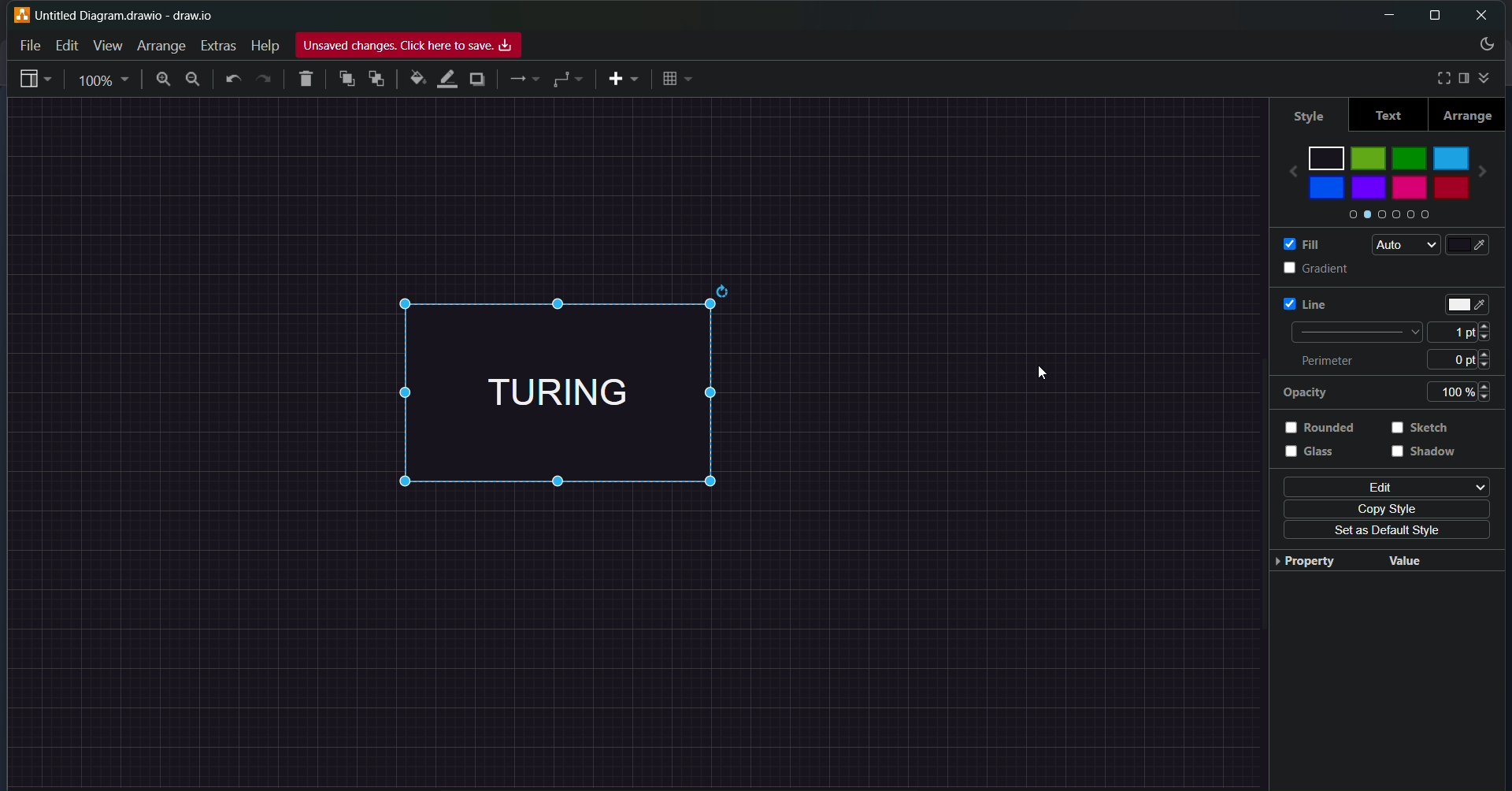 This screenshot has width=1512, height=791. What do you see at coordinates (1403, 559) in the screenshot?
I see `Value` at bounding box center [1403, 559].